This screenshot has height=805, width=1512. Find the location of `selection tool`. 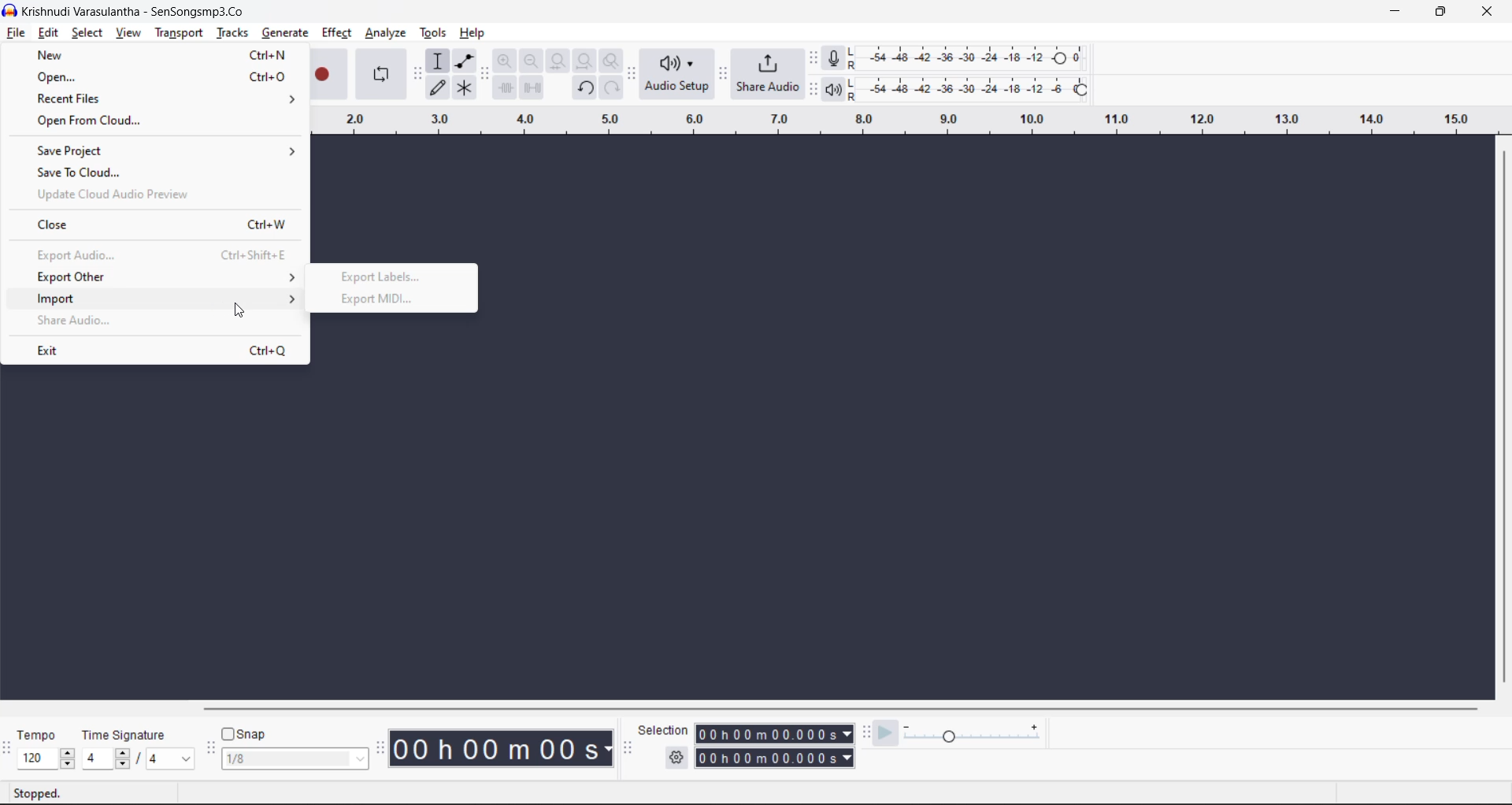

selection tool is located at coordinates (438, 61).